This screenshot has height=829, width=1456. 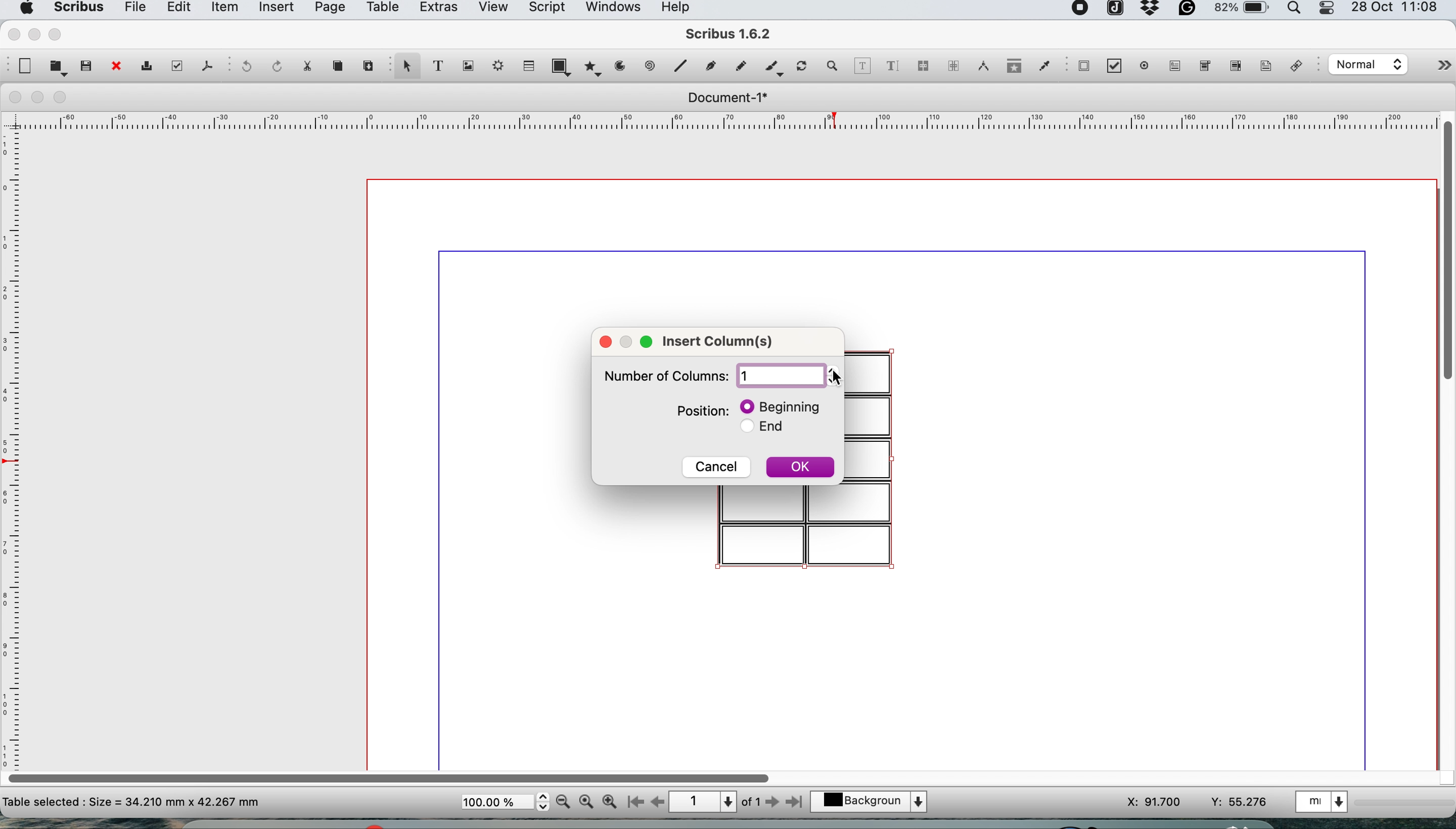 I want to click on pdf radio button, so click(x=1145, y=65).